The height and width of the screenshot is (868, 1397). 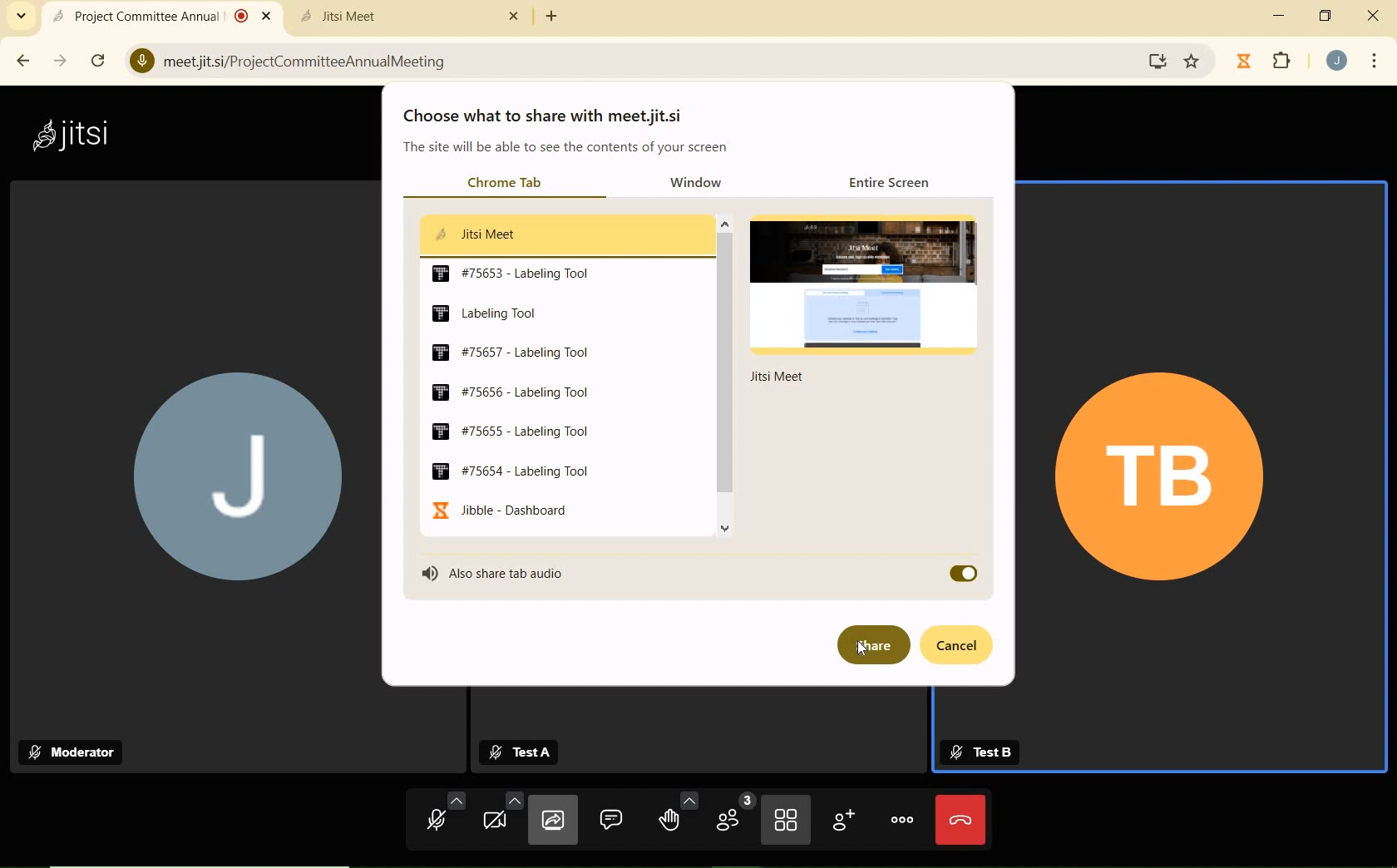 I want to click on J, so click(x=187, y=452).